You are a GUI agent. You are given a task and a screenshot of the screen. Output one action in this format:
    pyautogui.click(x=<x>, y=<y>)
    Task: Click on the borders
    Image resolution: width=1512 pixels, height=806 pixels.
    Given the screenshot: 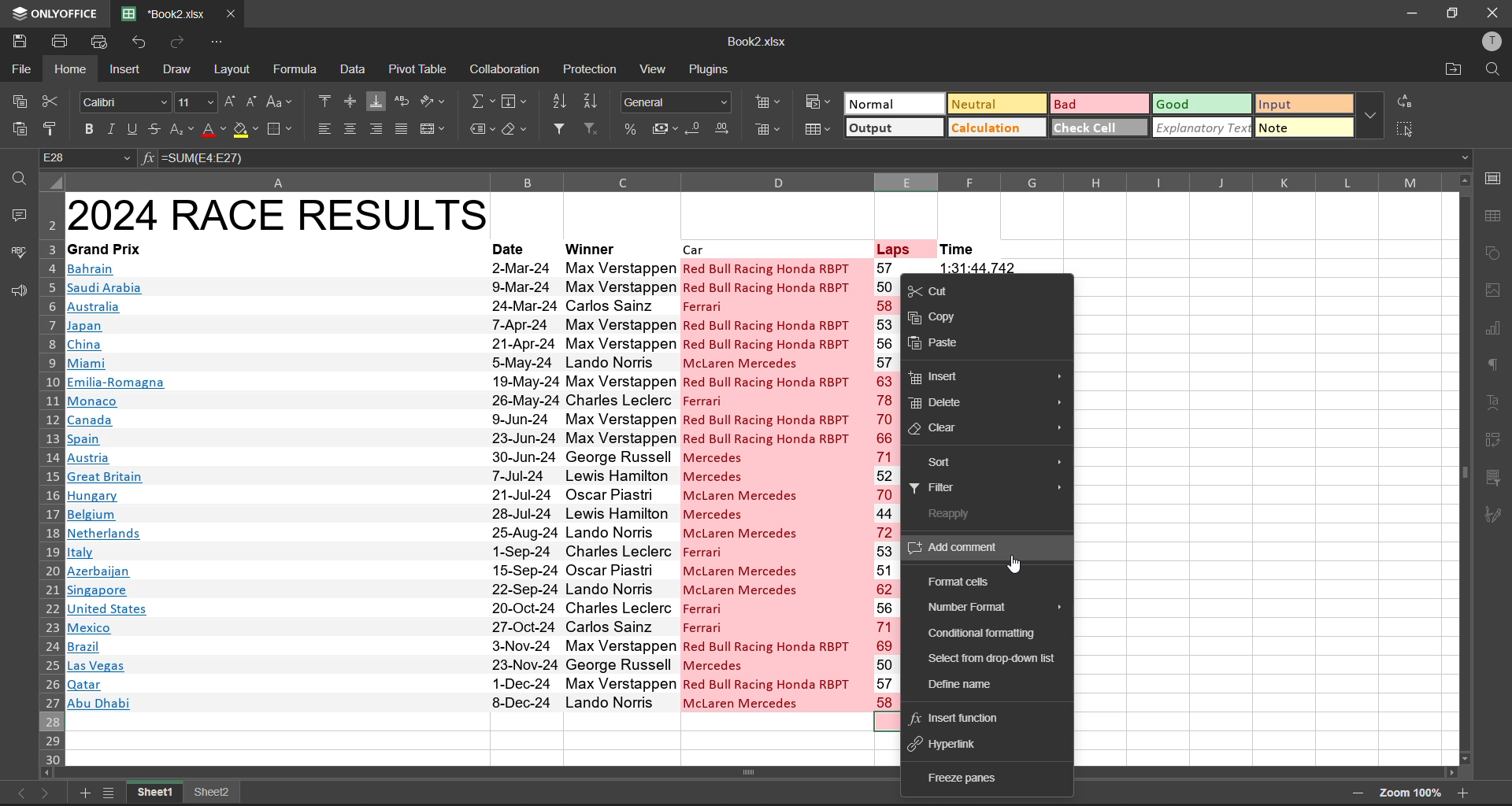 What is the action you would take?
    pyautogui.click(x=282, y=130)
    